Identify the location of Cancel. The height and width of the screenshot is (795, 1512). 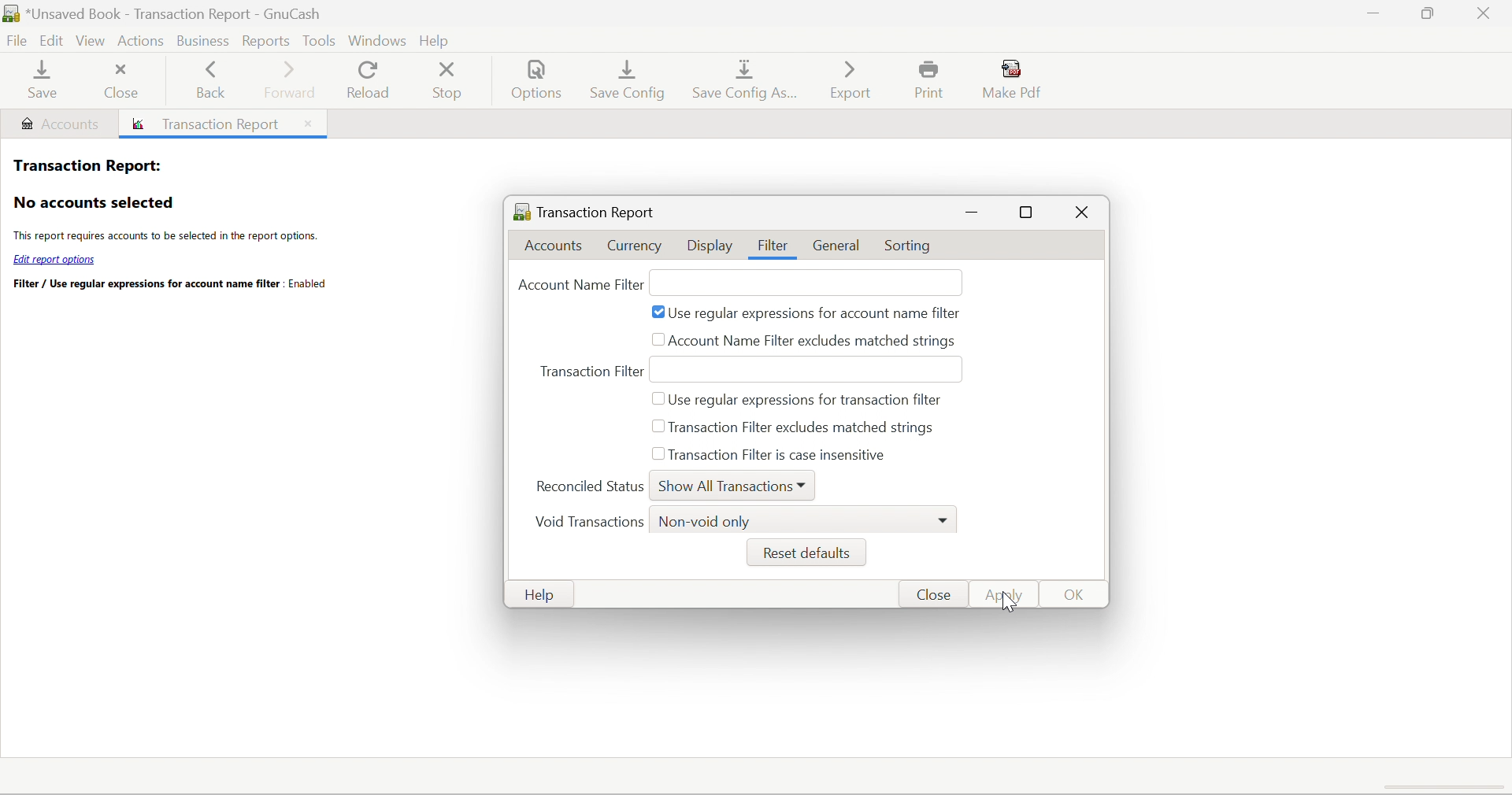
(932, 595).